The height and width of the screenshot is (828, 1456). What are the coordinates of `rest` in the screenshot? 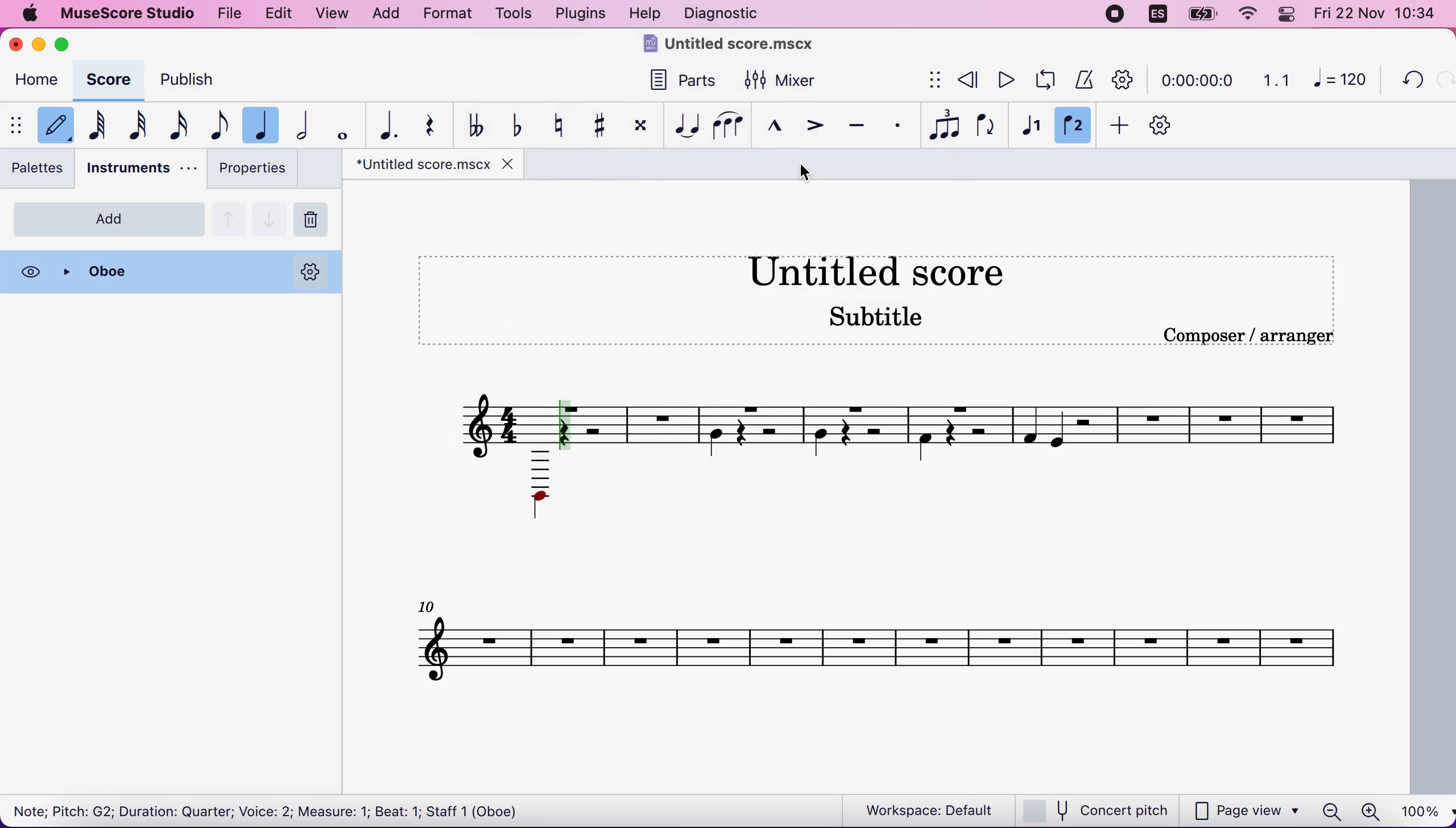 It's located at (438, 128).